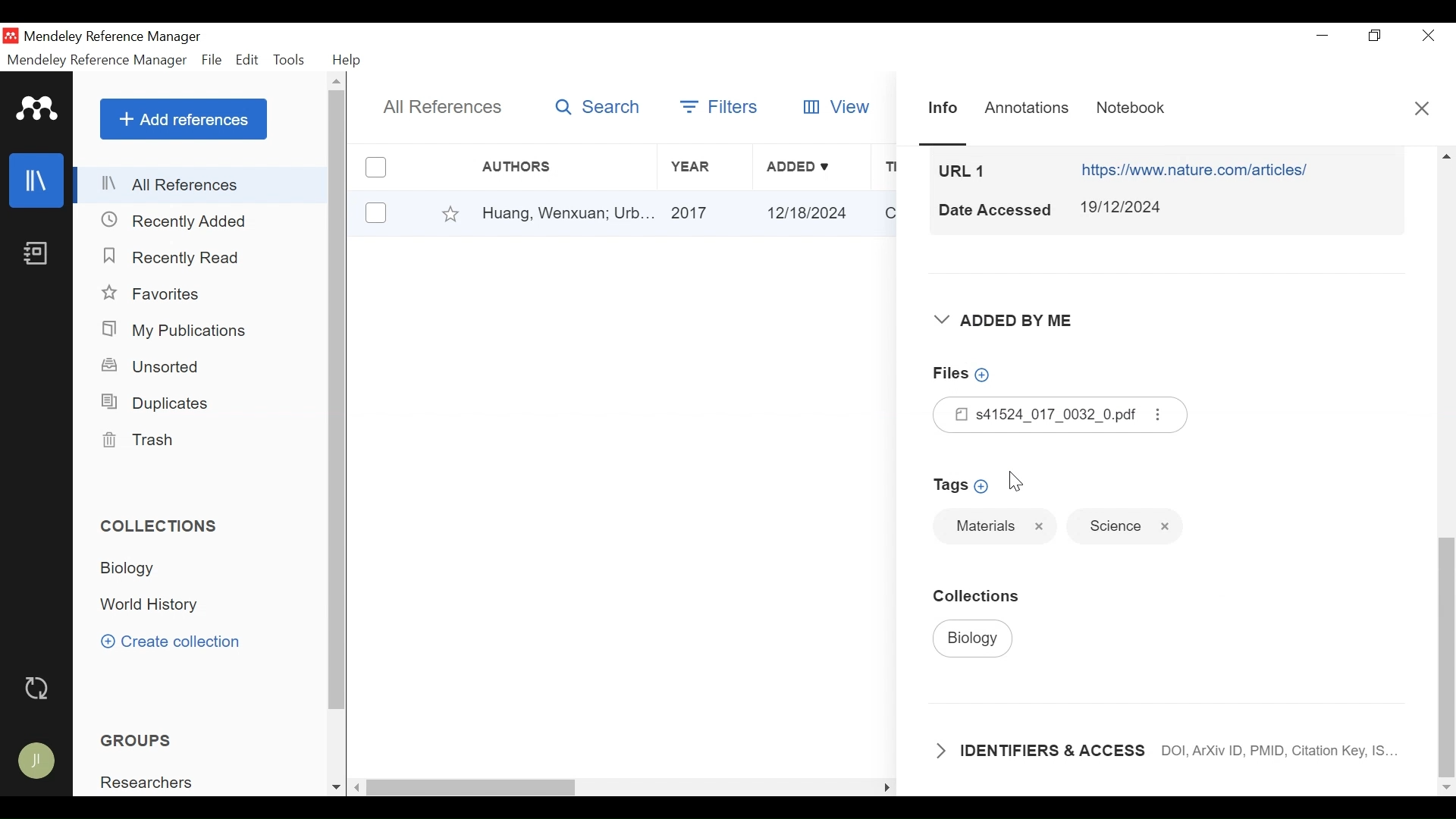 This screenshot has height=819, width=1456. I want to click on Scroll down, so click(334, 787).